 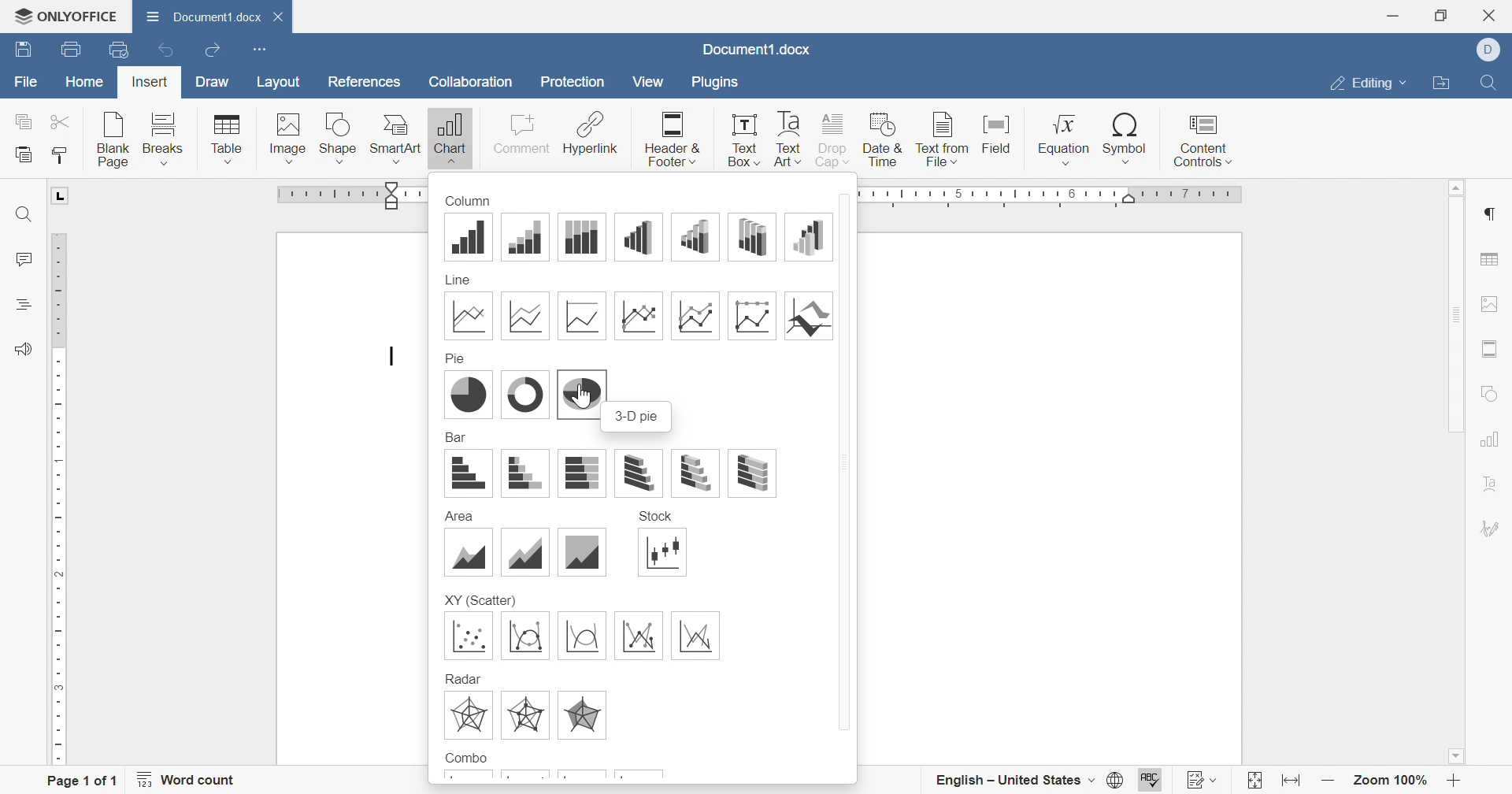 What do you see at coordinates (638, 314) in the screenshot?
I see `Lines with markers` at bounding box center [638, 314].